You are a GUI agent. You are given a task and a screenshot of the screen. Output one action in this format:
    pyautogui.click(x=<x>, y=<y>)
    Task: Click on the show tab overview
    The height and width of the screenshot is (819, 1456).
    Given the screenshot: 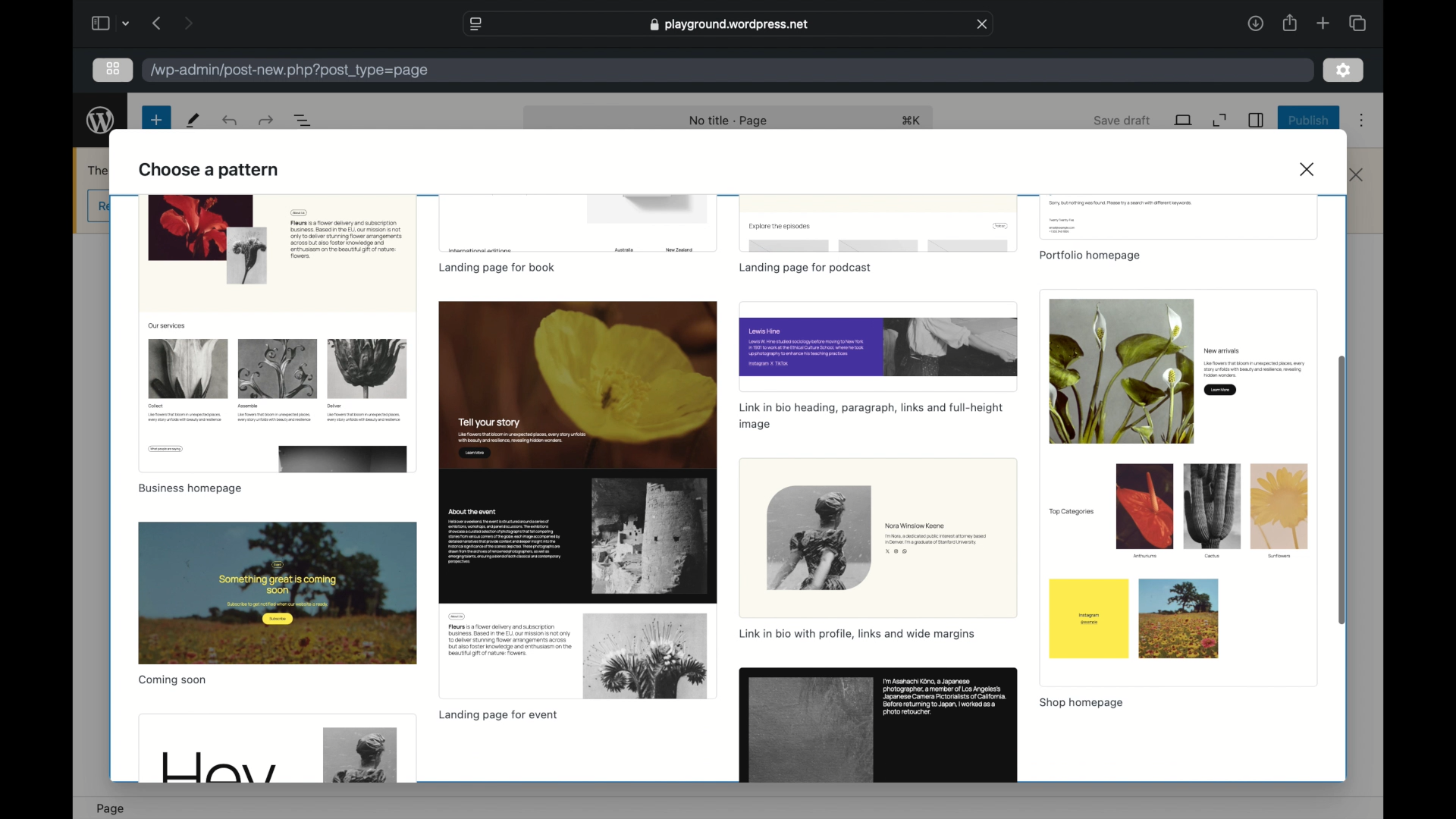 What is the action you would take?
    pyautogui.click(x=1357, y=23)
    